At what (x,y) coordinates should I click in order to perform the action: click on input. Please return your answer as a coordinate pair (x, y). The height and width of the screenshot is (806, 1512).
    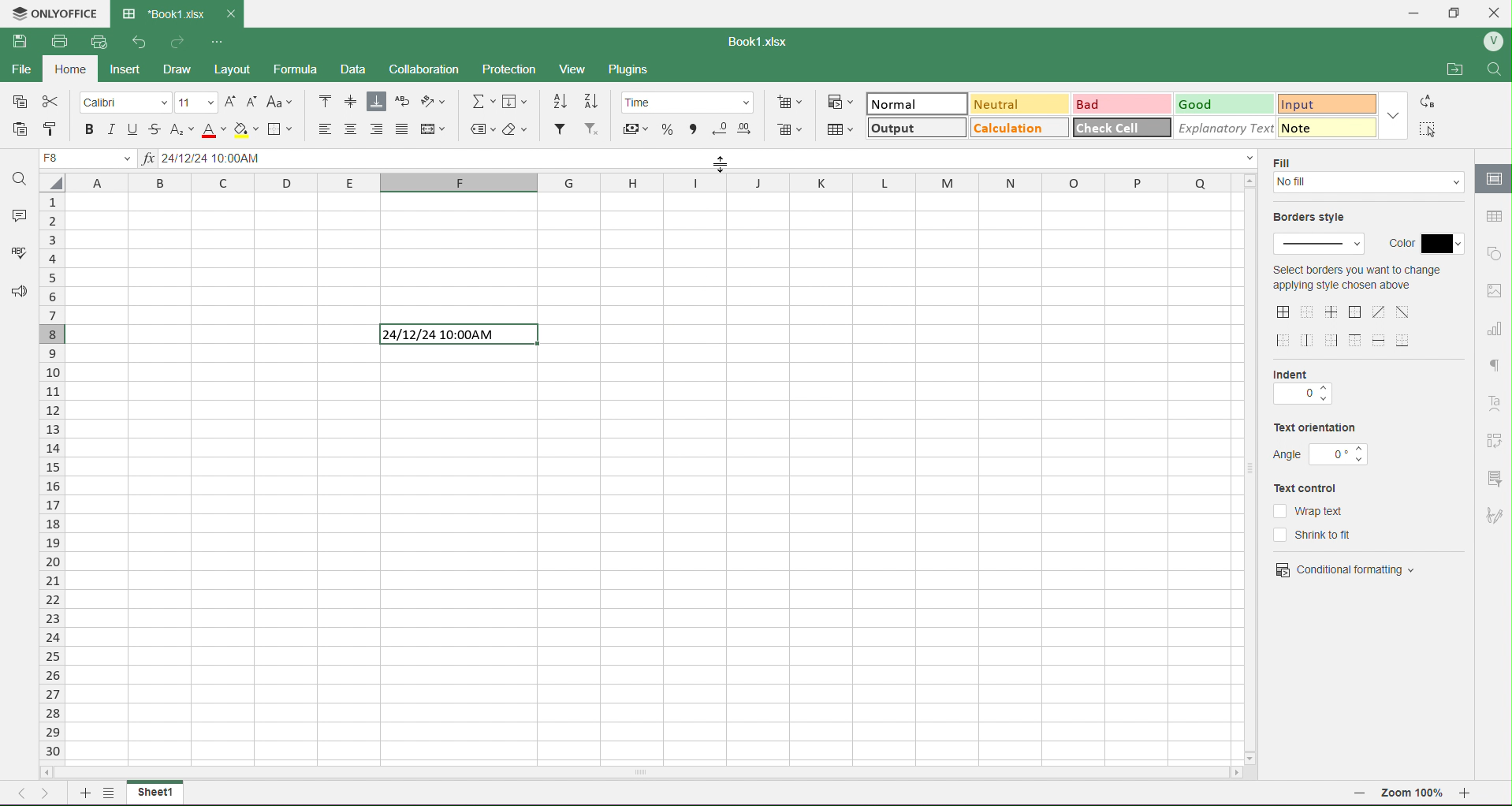
    Looking at the image, I should click on (1309, 102).